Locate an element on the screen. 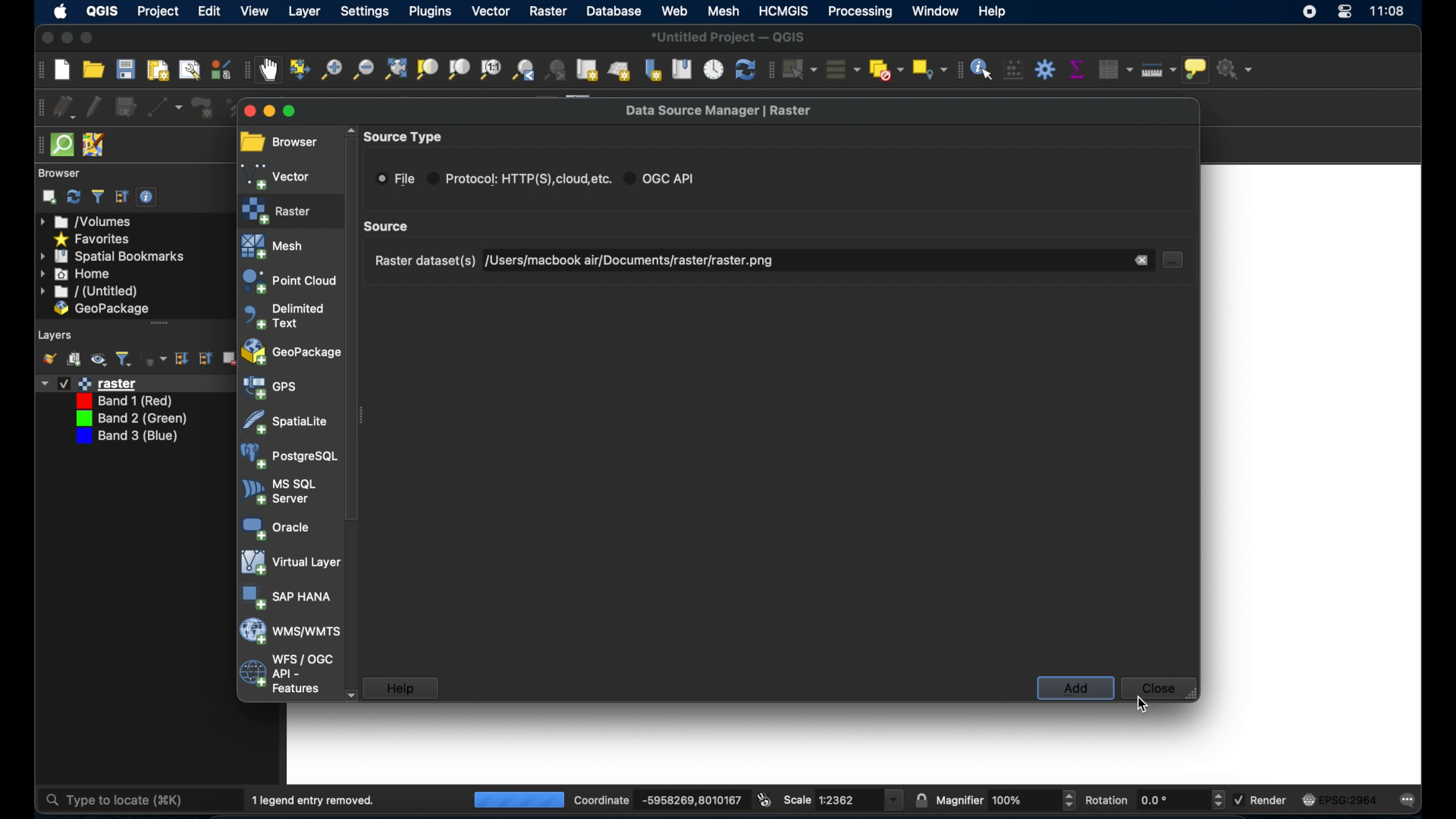 This screenshot has height=819, width=1456. ms sql server is located at coordinates (284, 491).